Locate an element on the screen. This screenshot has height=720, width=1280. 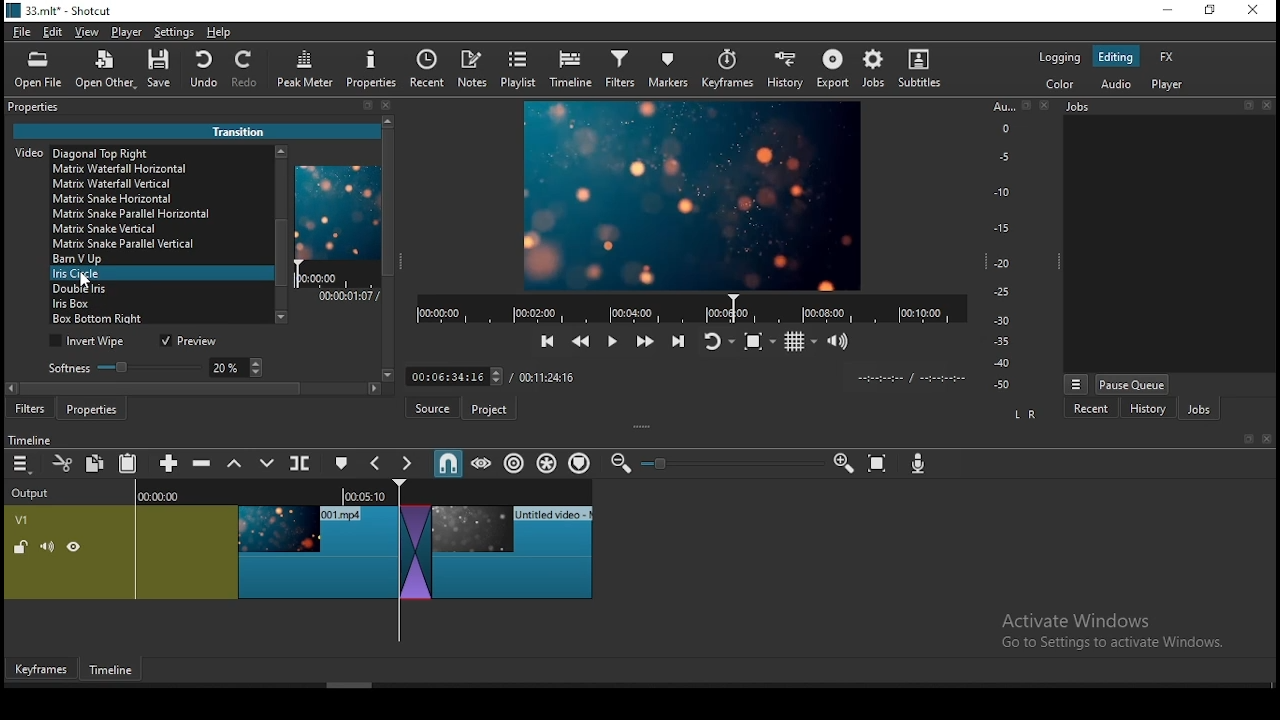
ripple delete is located at coordinates (204, 463).